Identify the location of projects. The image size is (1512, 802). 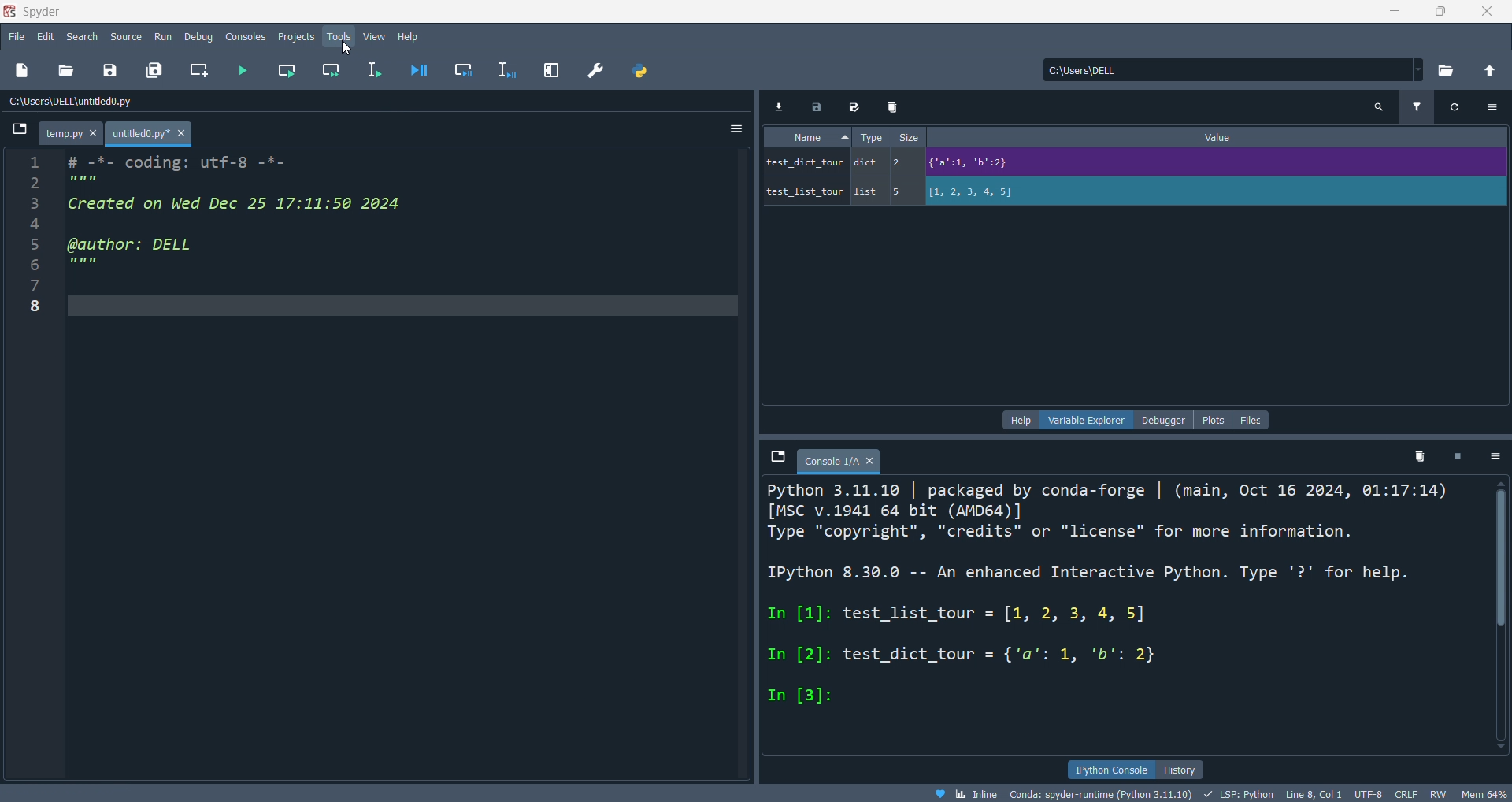
(296, 36).